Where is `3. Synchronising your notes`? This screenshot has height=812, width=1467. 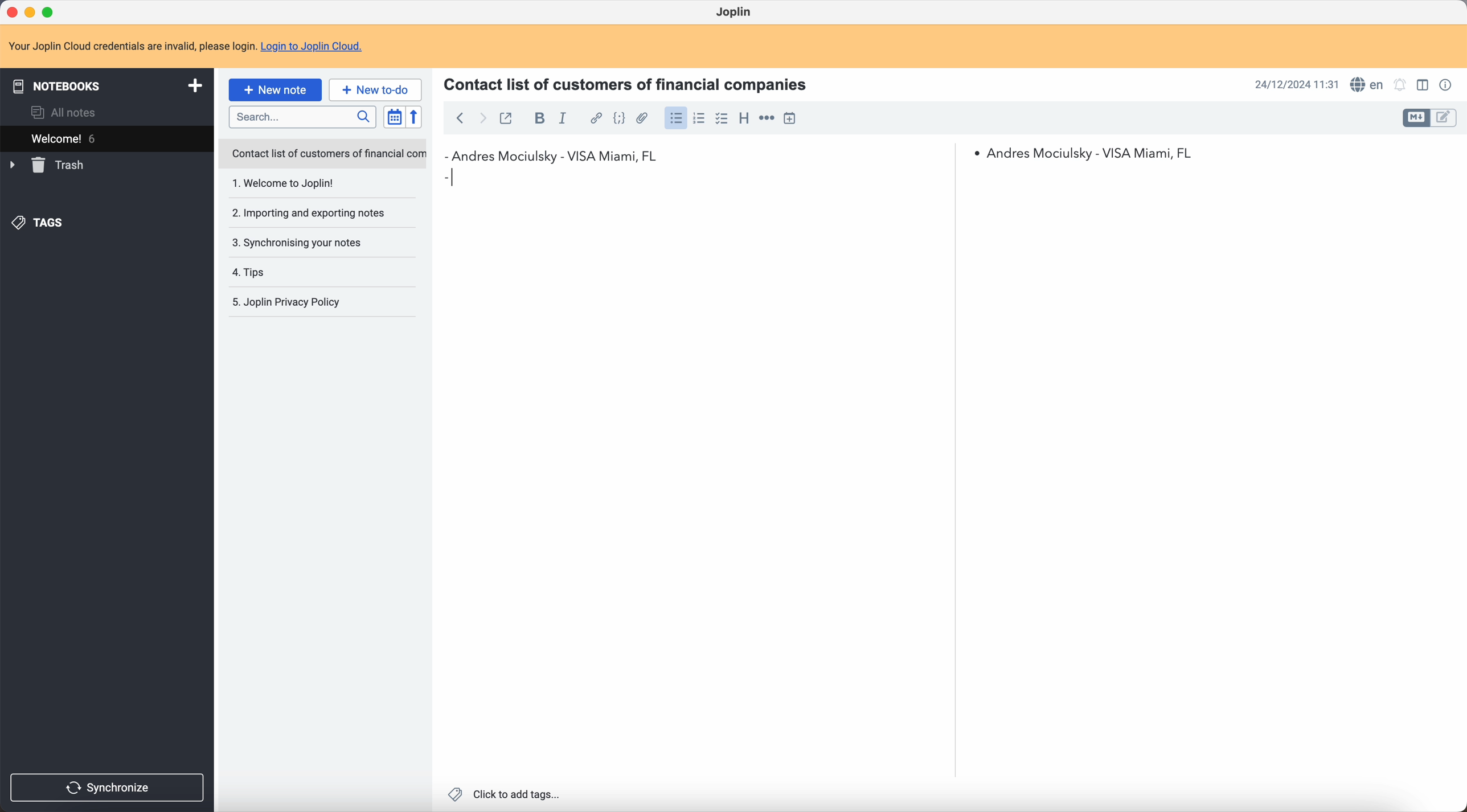
3. Synchronising your notes is located at coordinates (301, 242).